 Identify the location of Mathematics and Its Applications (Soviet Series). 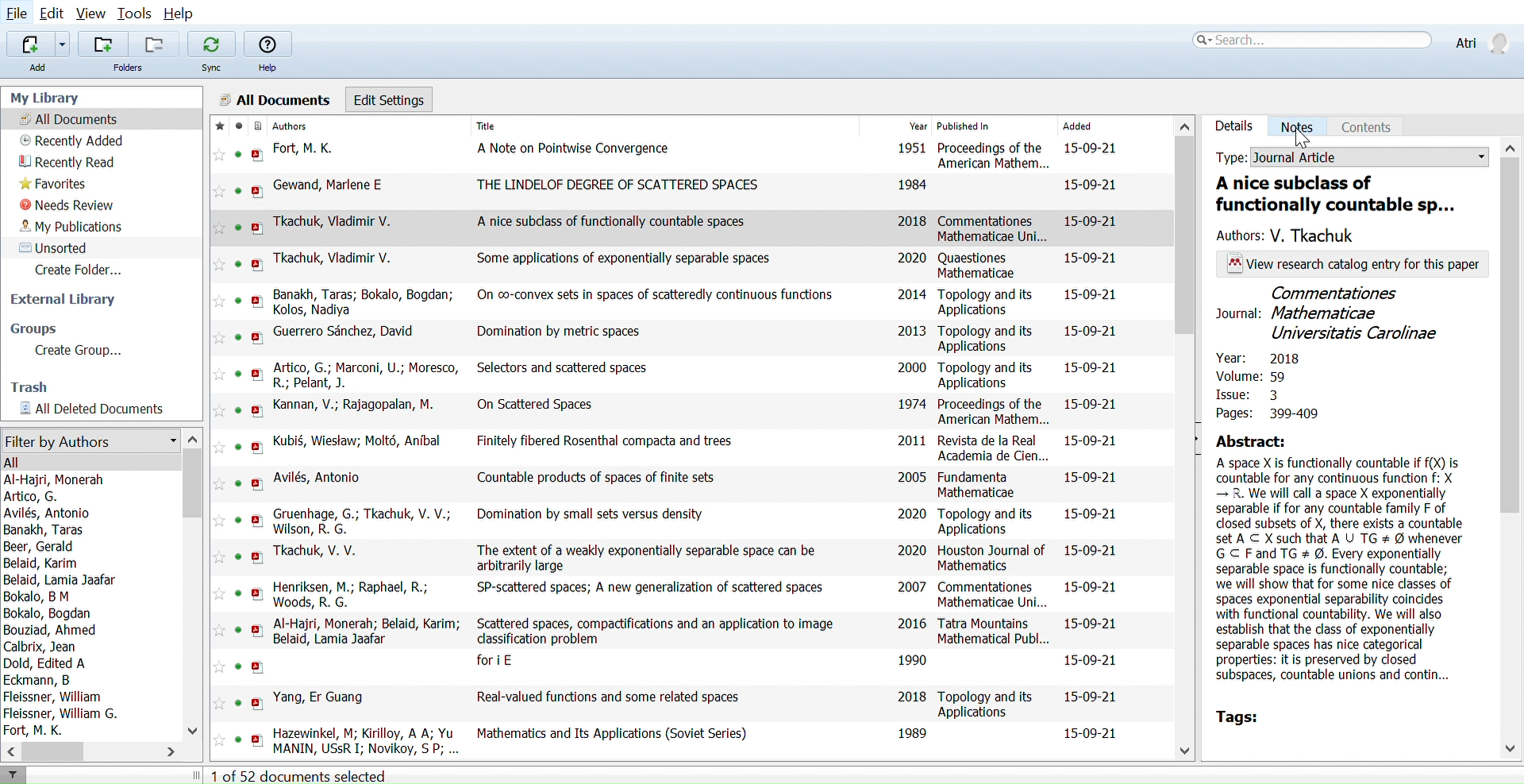
(617, 735).